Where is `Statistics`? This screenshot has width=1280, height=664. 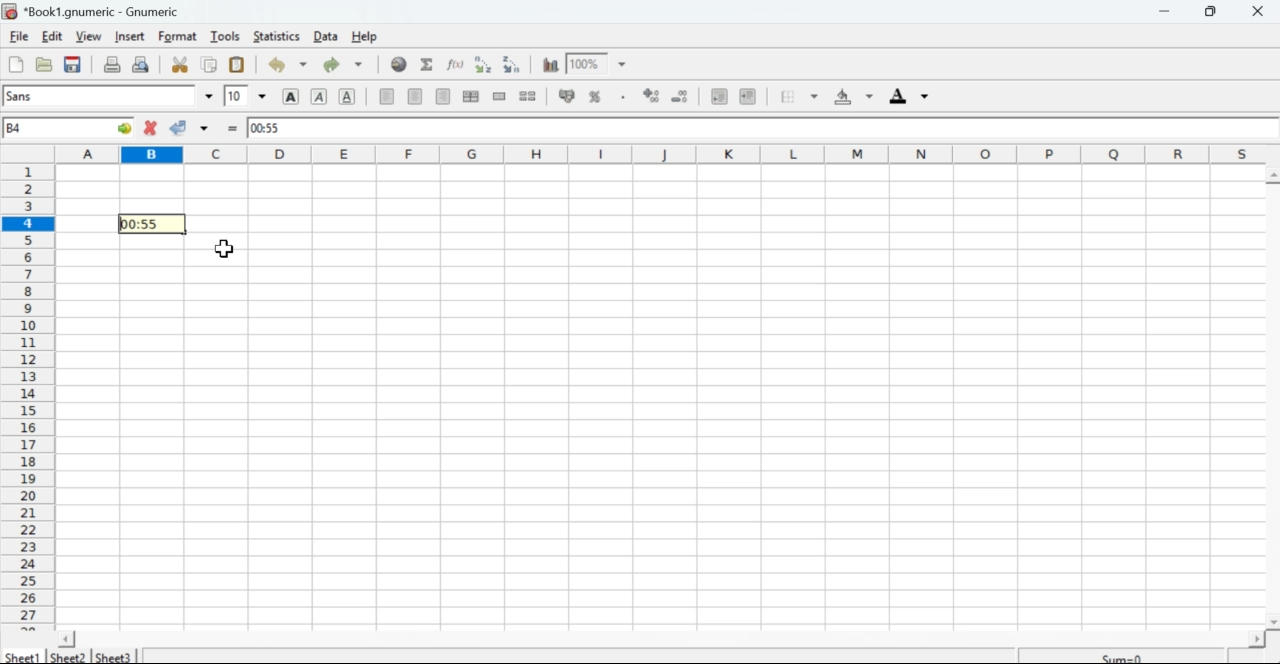
Statistics is located at coordinates (276, 36).